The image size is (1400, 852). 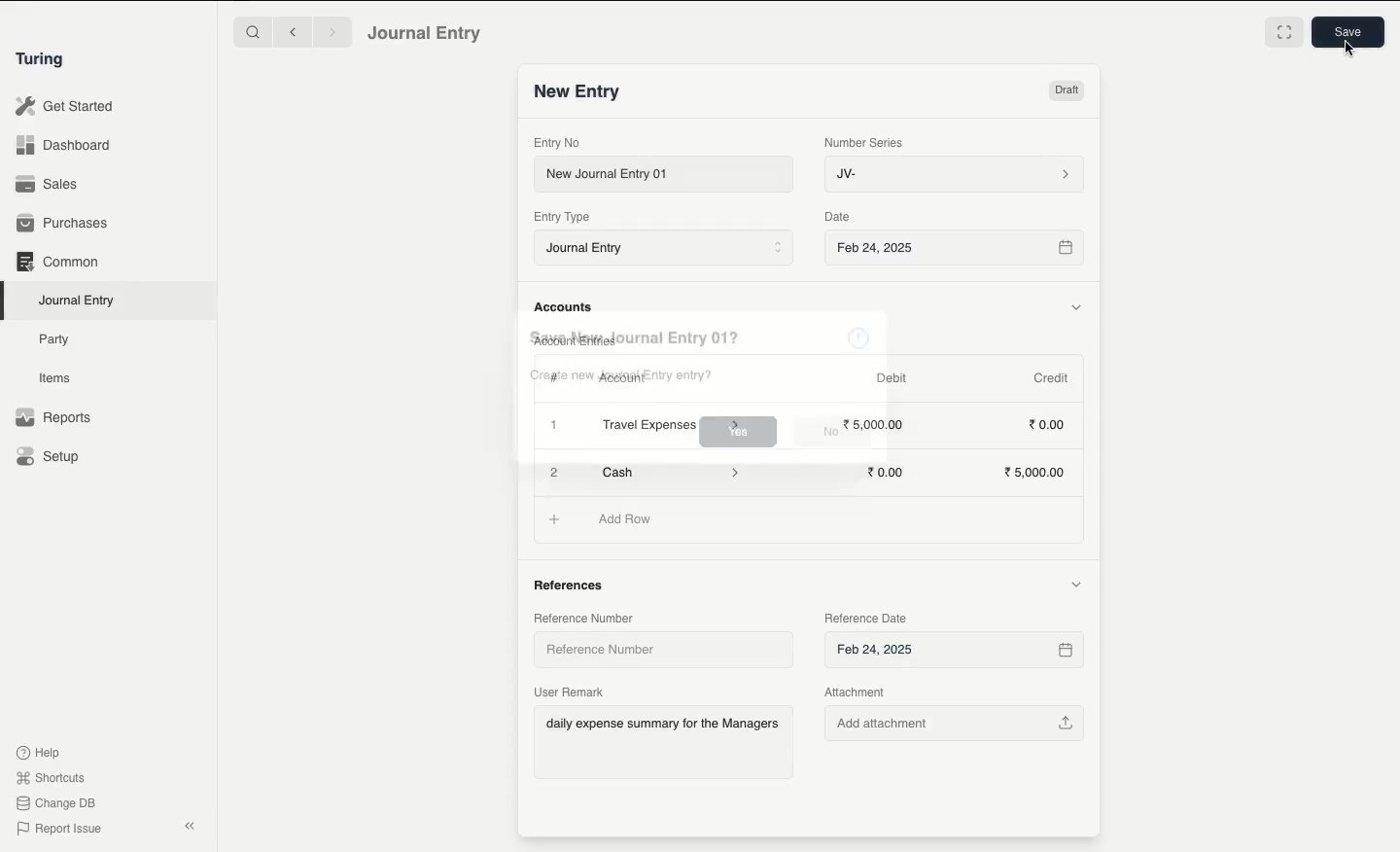 I want to click on User Remark, so click(x=570, y=692).